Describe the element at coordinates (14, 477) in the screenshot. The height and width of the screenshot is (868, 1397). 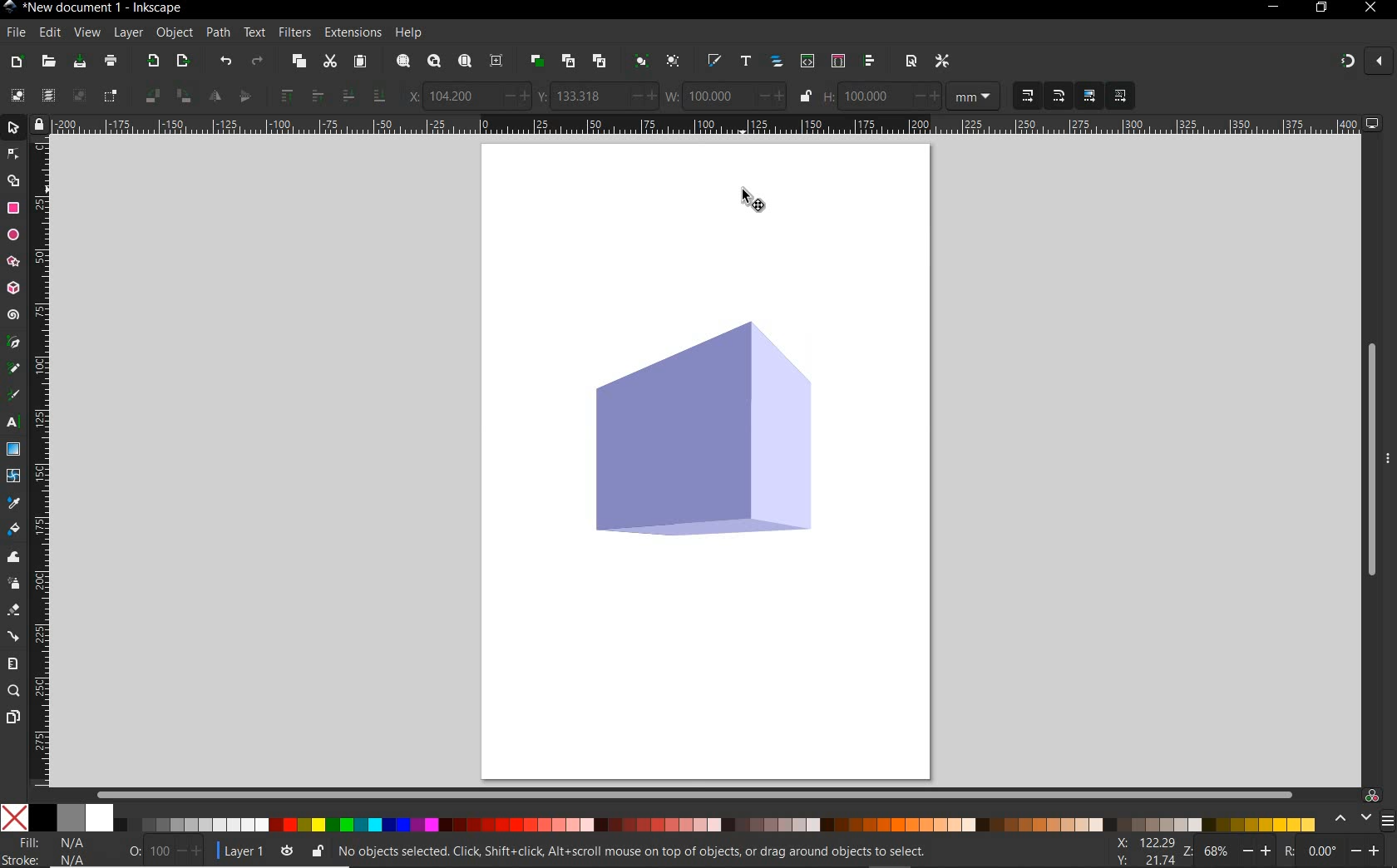
I see `mesh tool` at that location.